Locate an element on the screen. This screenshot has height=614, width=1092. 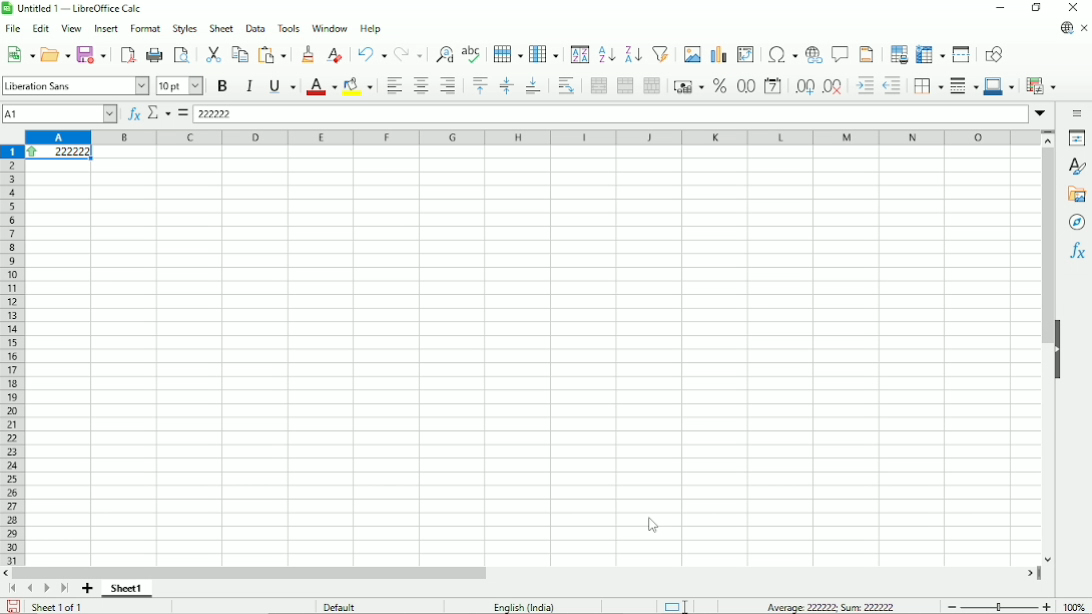
Format as date is located at coordinates (772, 86).